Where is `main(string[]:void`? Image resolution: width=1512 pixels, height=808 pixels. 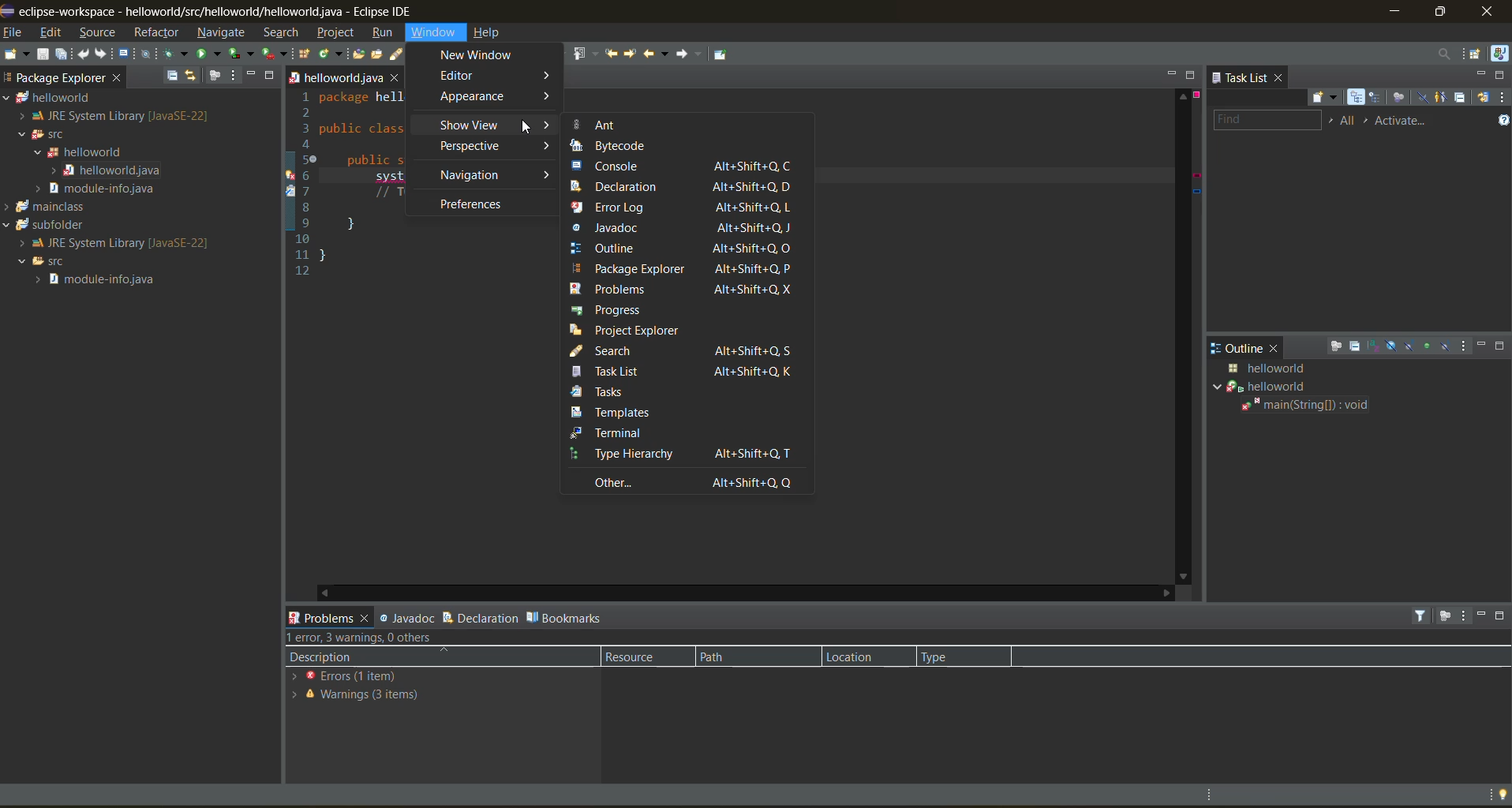 main(string[]:void is located at coordinates (1328, 406).